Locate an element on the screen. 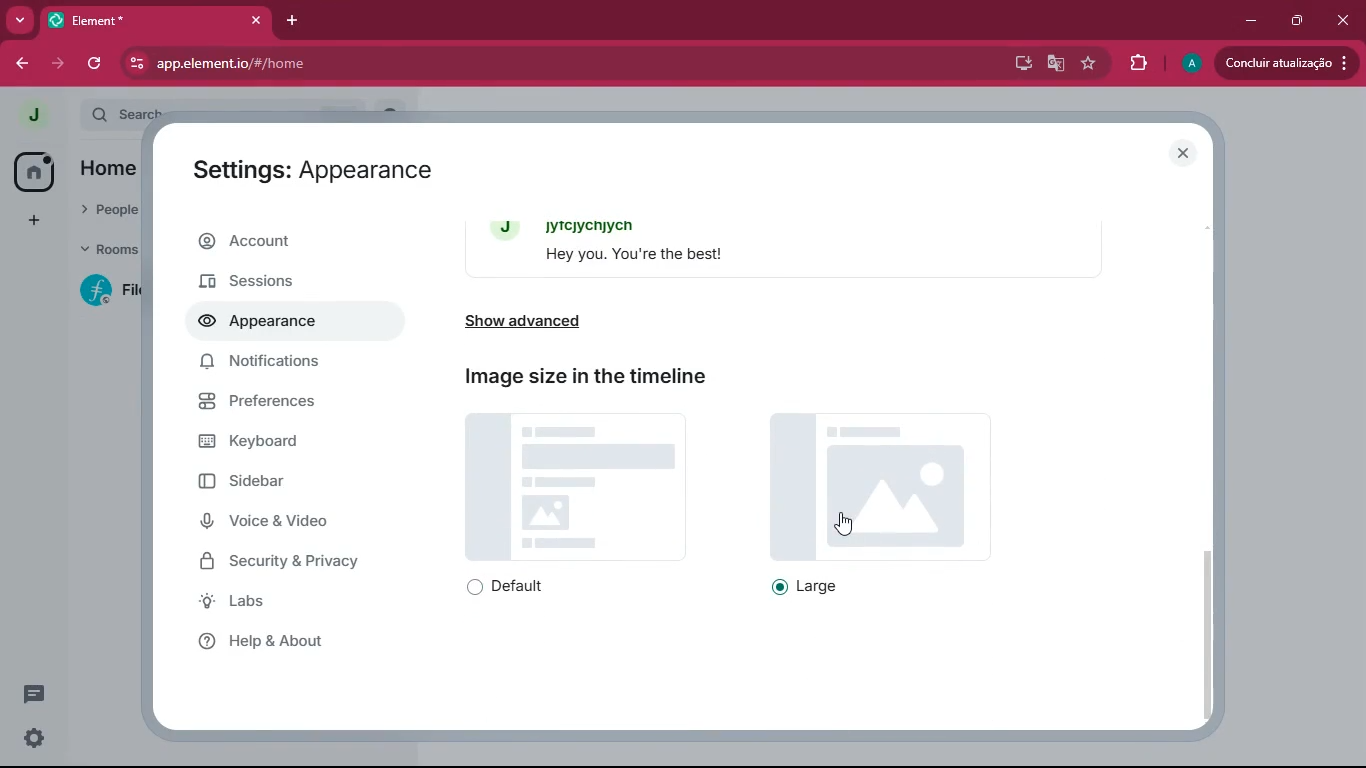 Image resolution: width=1366 pixels, height=768 pixels. refresh is located at coordinates (96, 63).